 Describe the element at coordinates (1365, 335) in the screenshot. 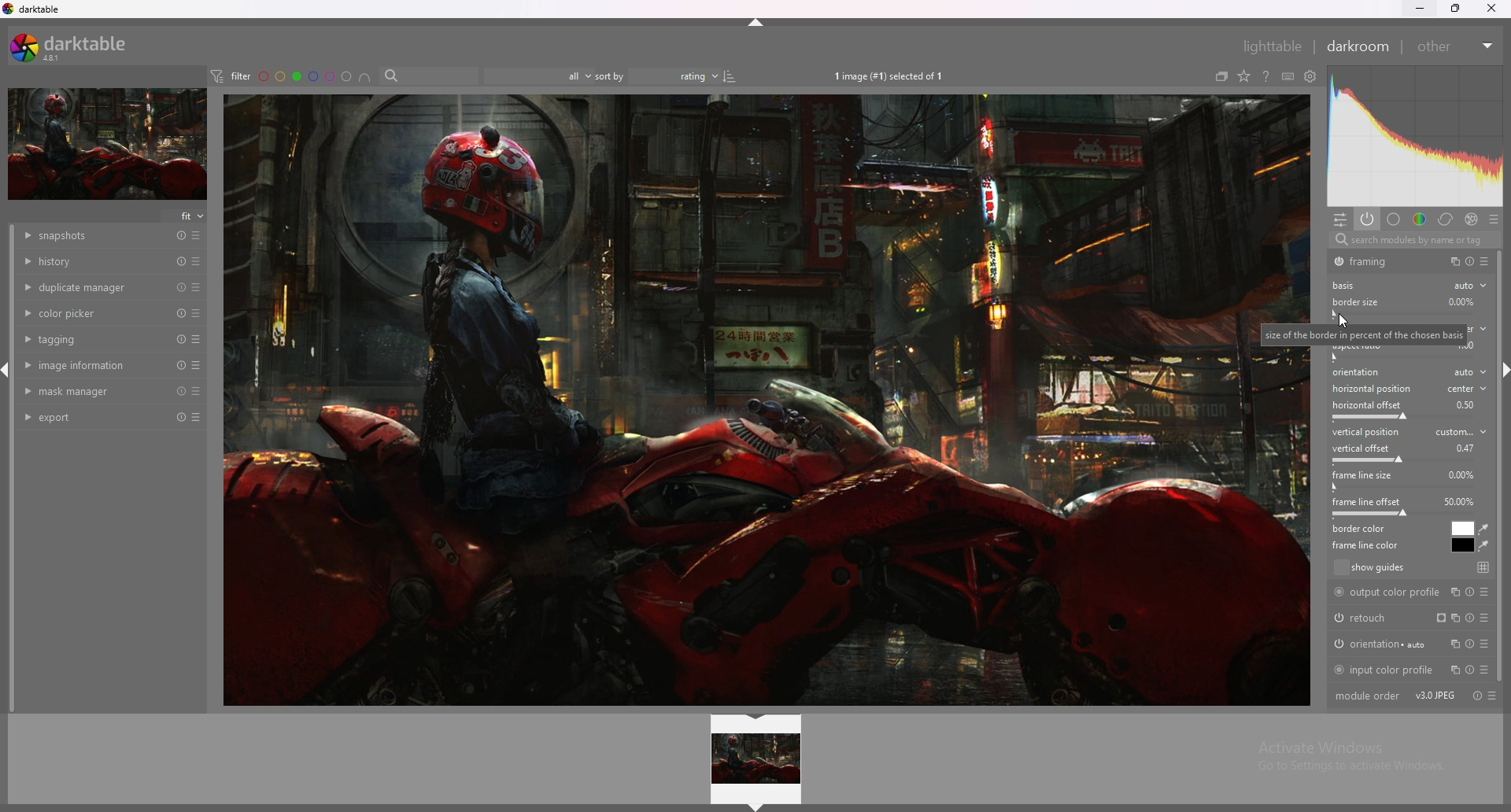

I see `size of the border in percent of the chosen basis` at that location.